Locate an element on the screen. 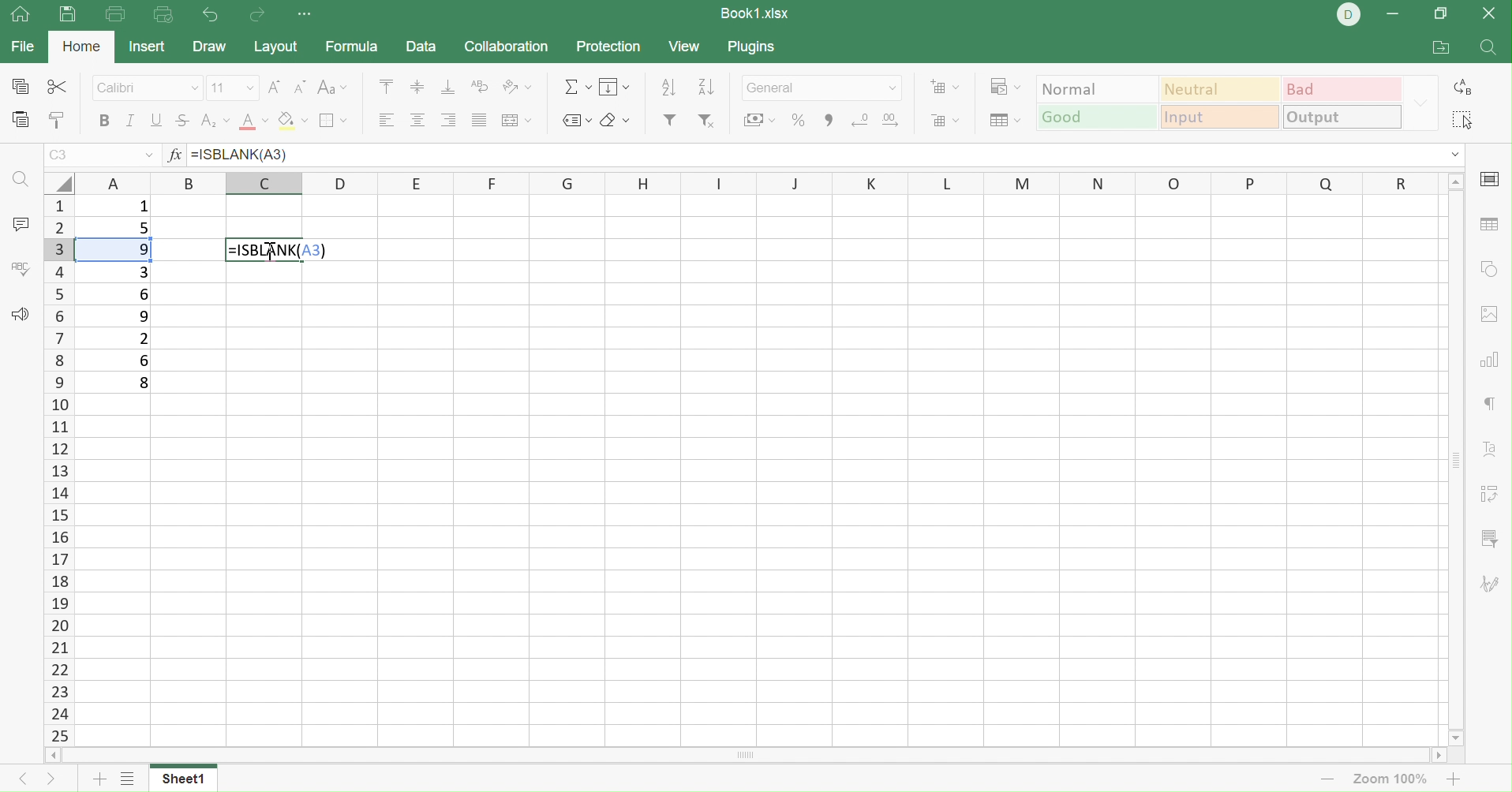 This screenshot has width=1512, height=792. Formula is located at coordinates (352, 47).